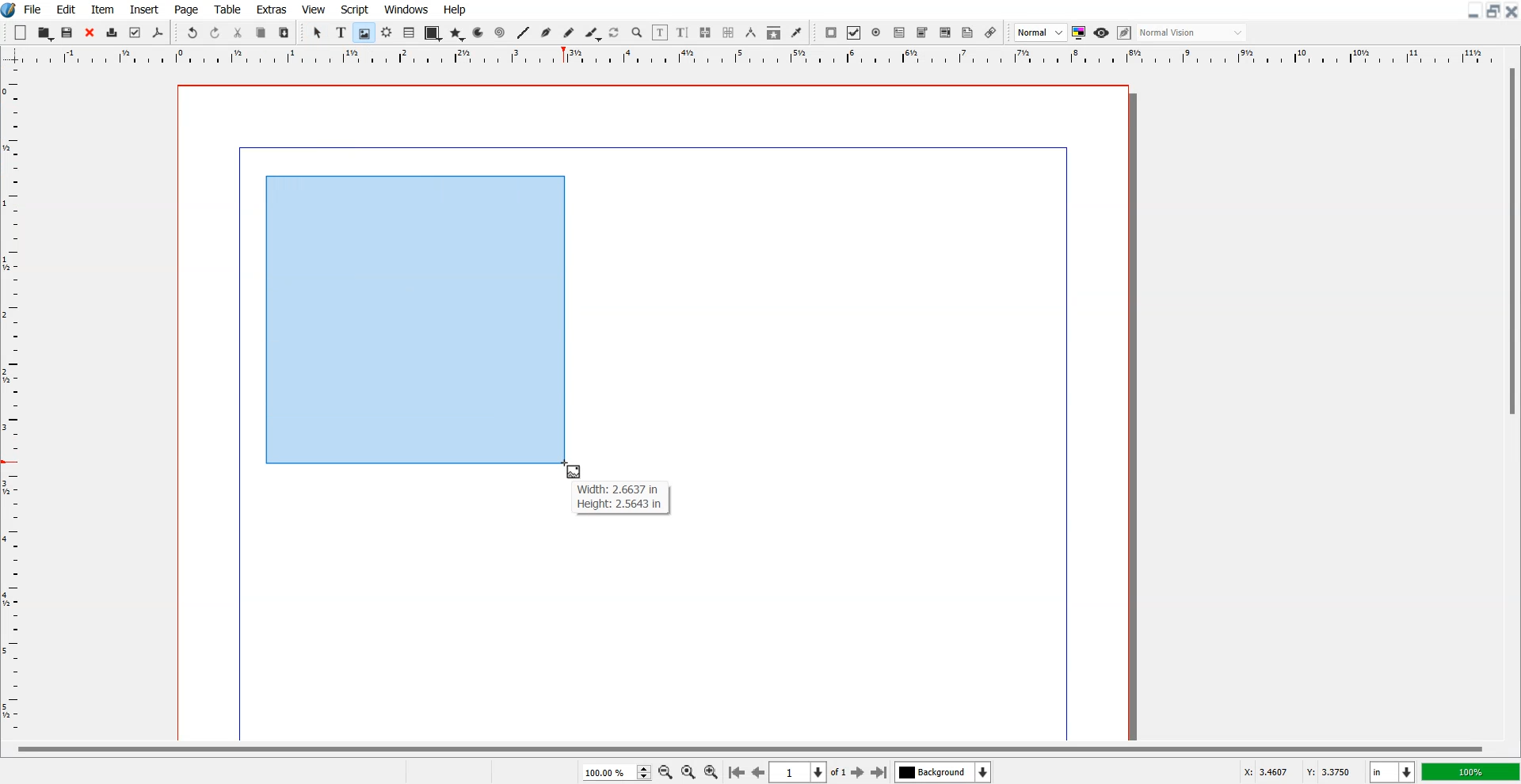 Image resolution: width=1521 pixels, height=784 pixels. What do you see at coordinates (193, 32) in the screenshot?
I see `Undo` at bounding box center [193, 32].